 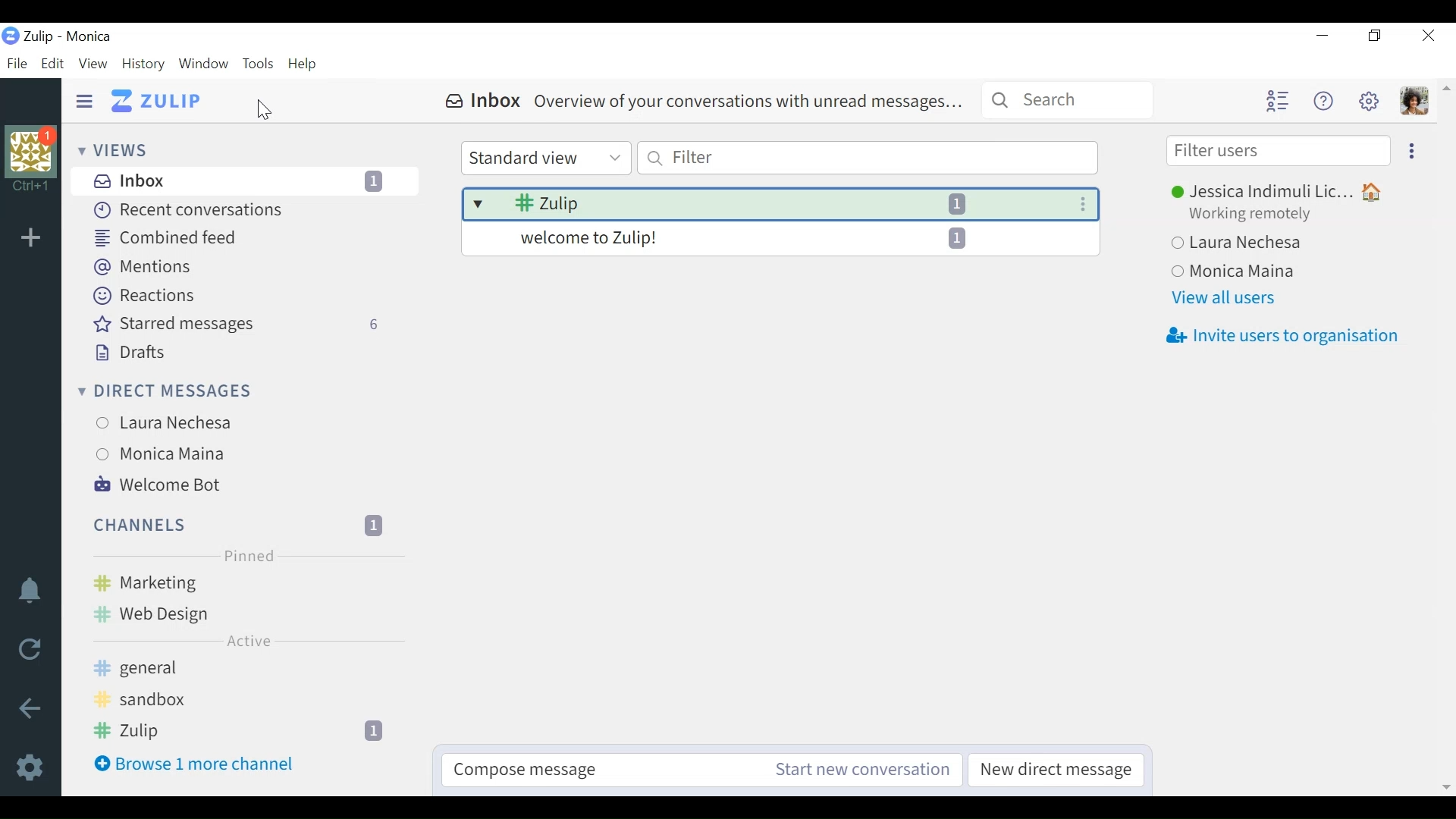 I want to click on Active, so click(x=245, y=641).